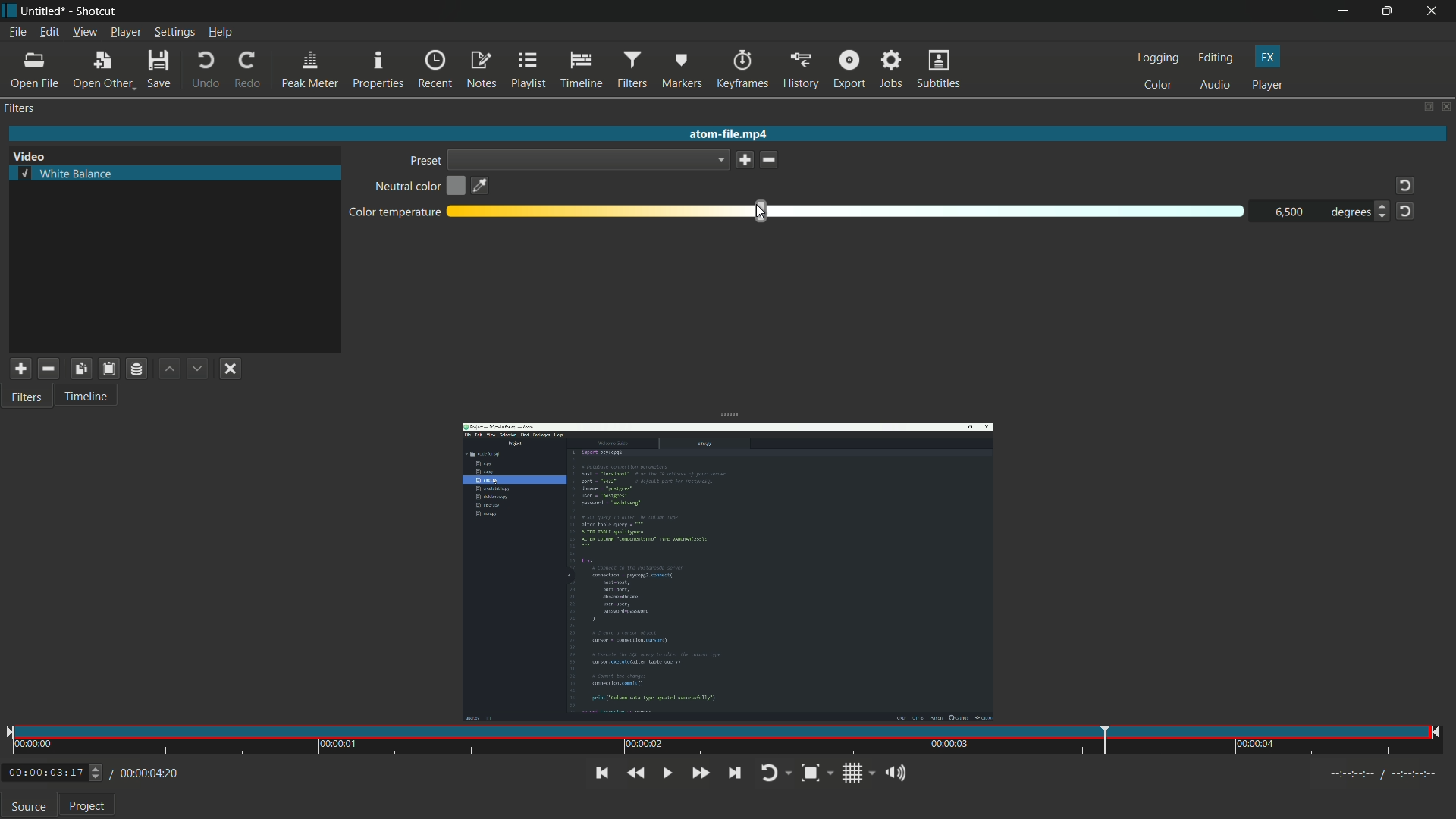 The image size is (1456, 819). What do you see at coordinates (734, 773) in the screenshot?
I see `skip to next point` at bounding box center [734, 773].